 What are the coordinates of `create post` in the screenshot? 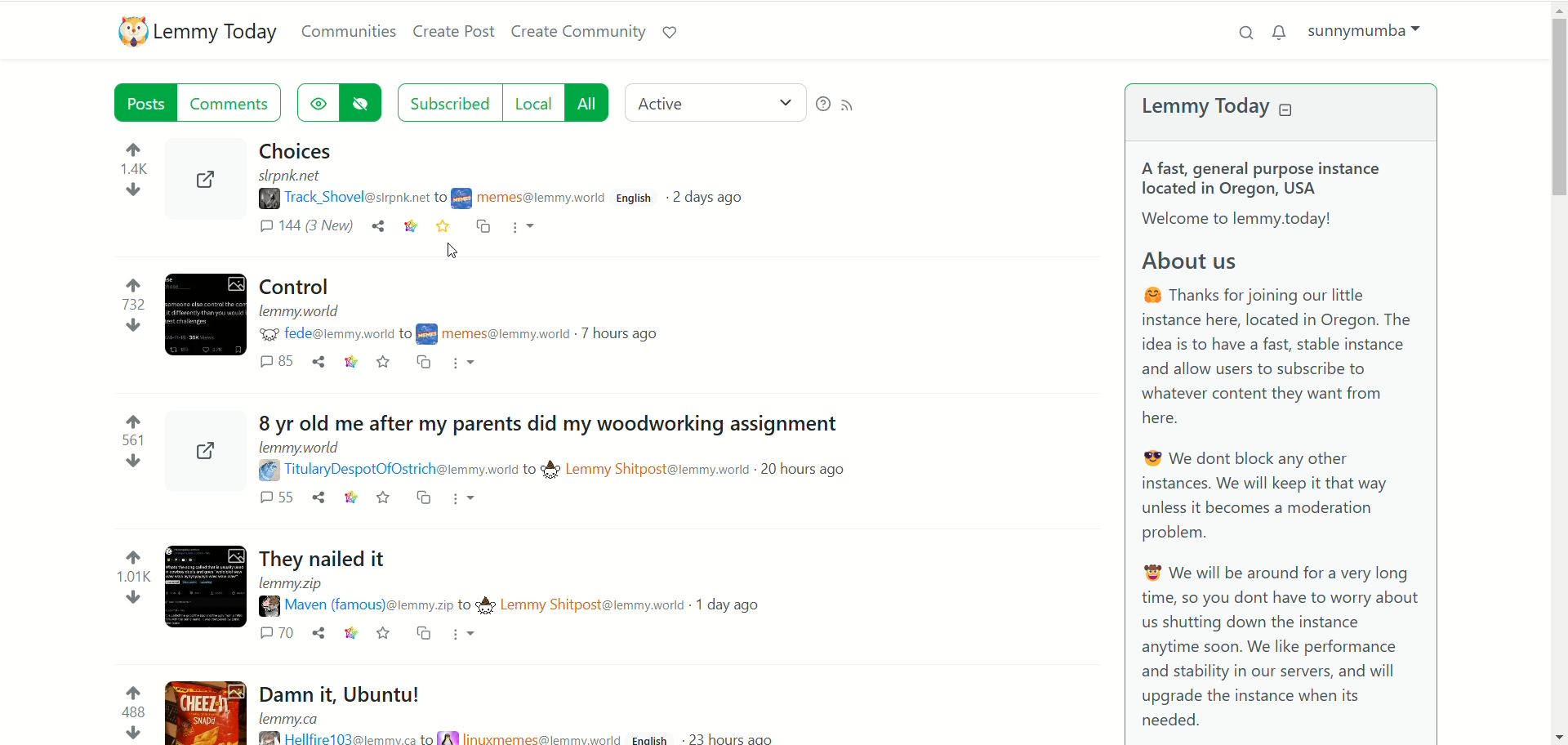 It's located at (455, 33).